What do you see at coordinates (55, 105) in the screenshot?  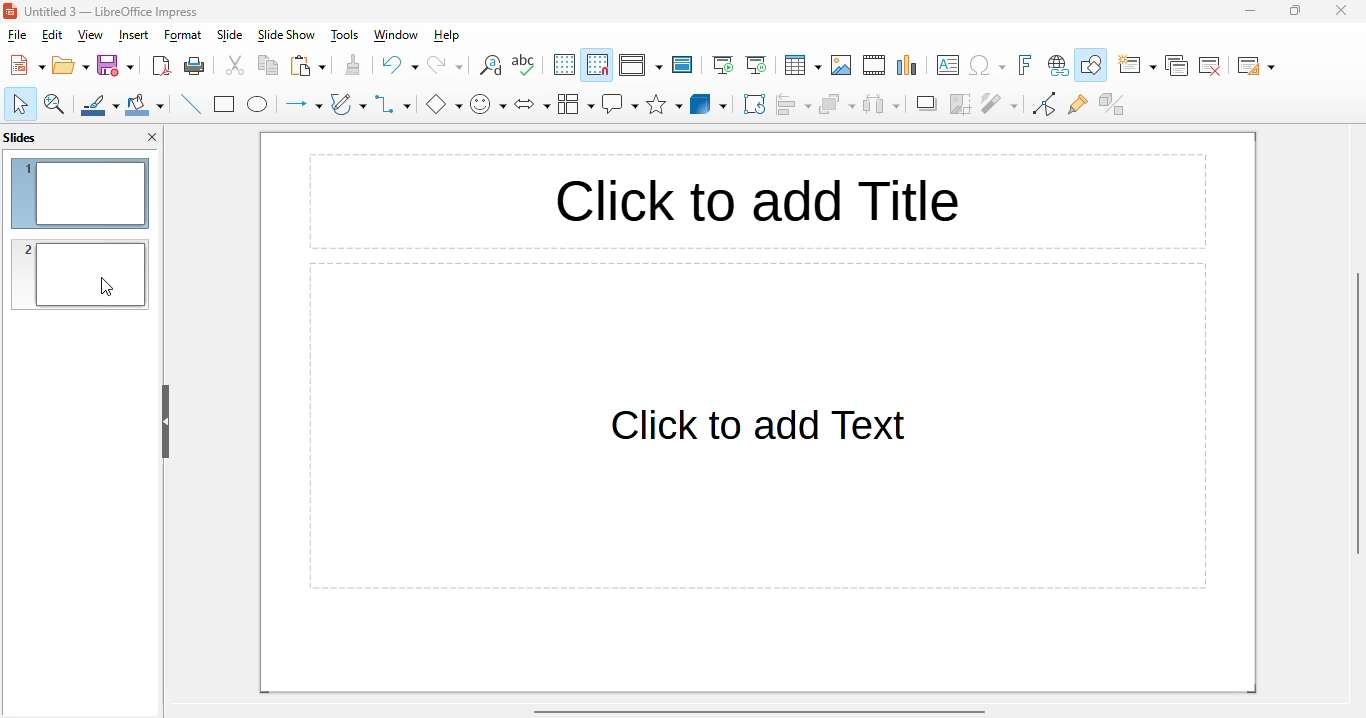 I see `zoom & pan` at bounding box center [55, 105].